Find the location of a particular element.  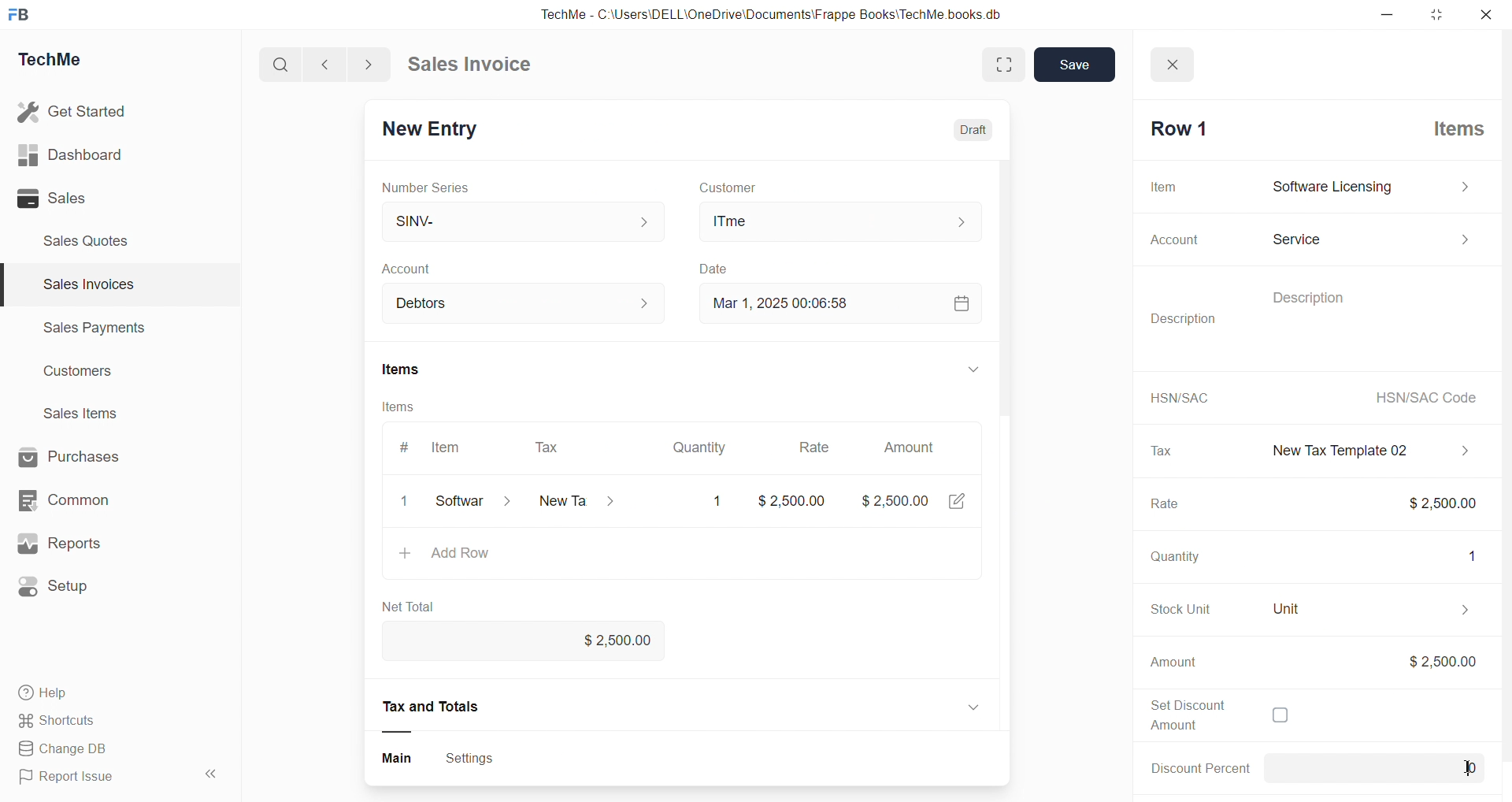

Item is located at coordinates (1165, 186).